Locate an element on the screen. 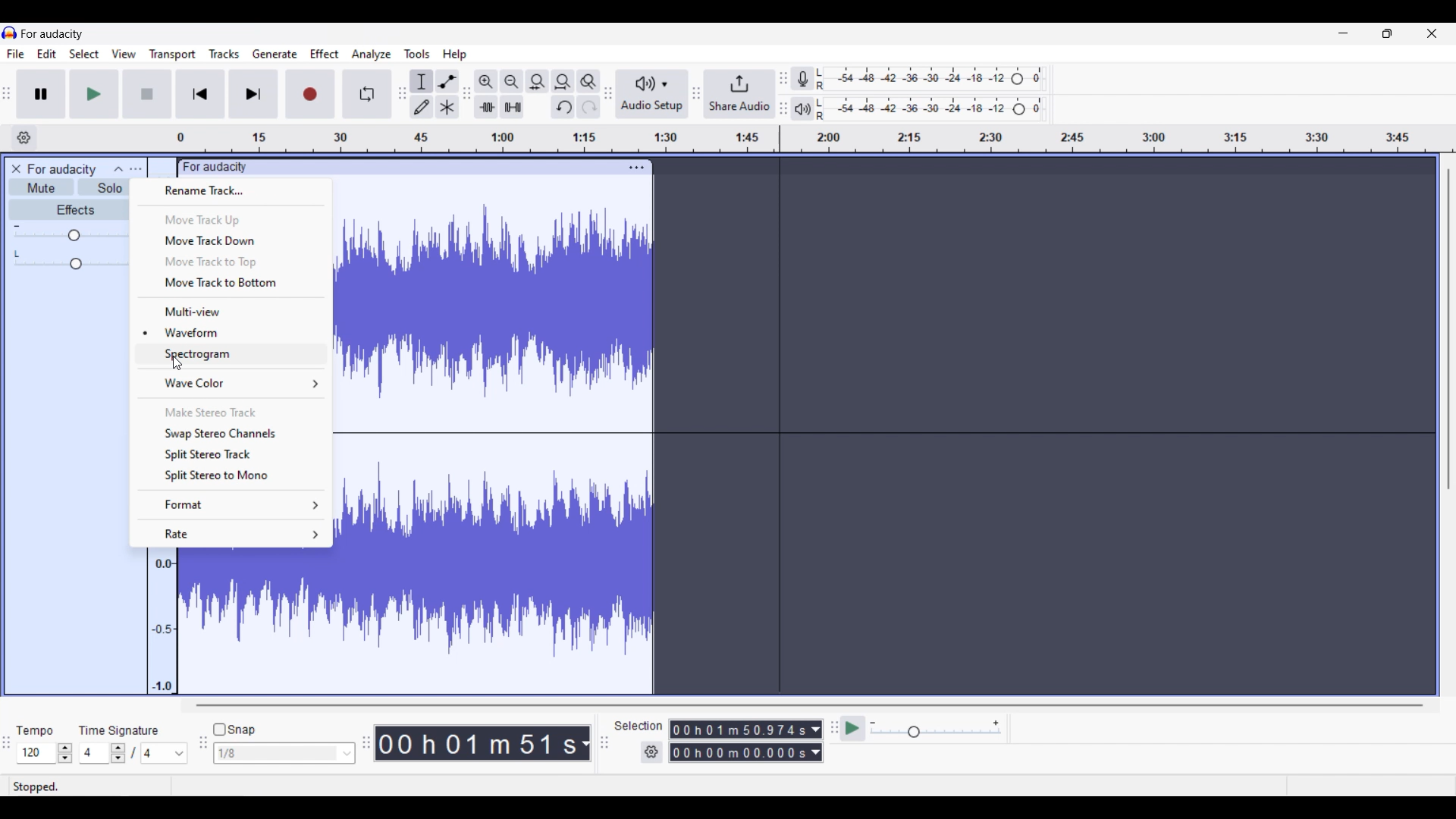  Move track to bottom is located at coordinates (232, 284).